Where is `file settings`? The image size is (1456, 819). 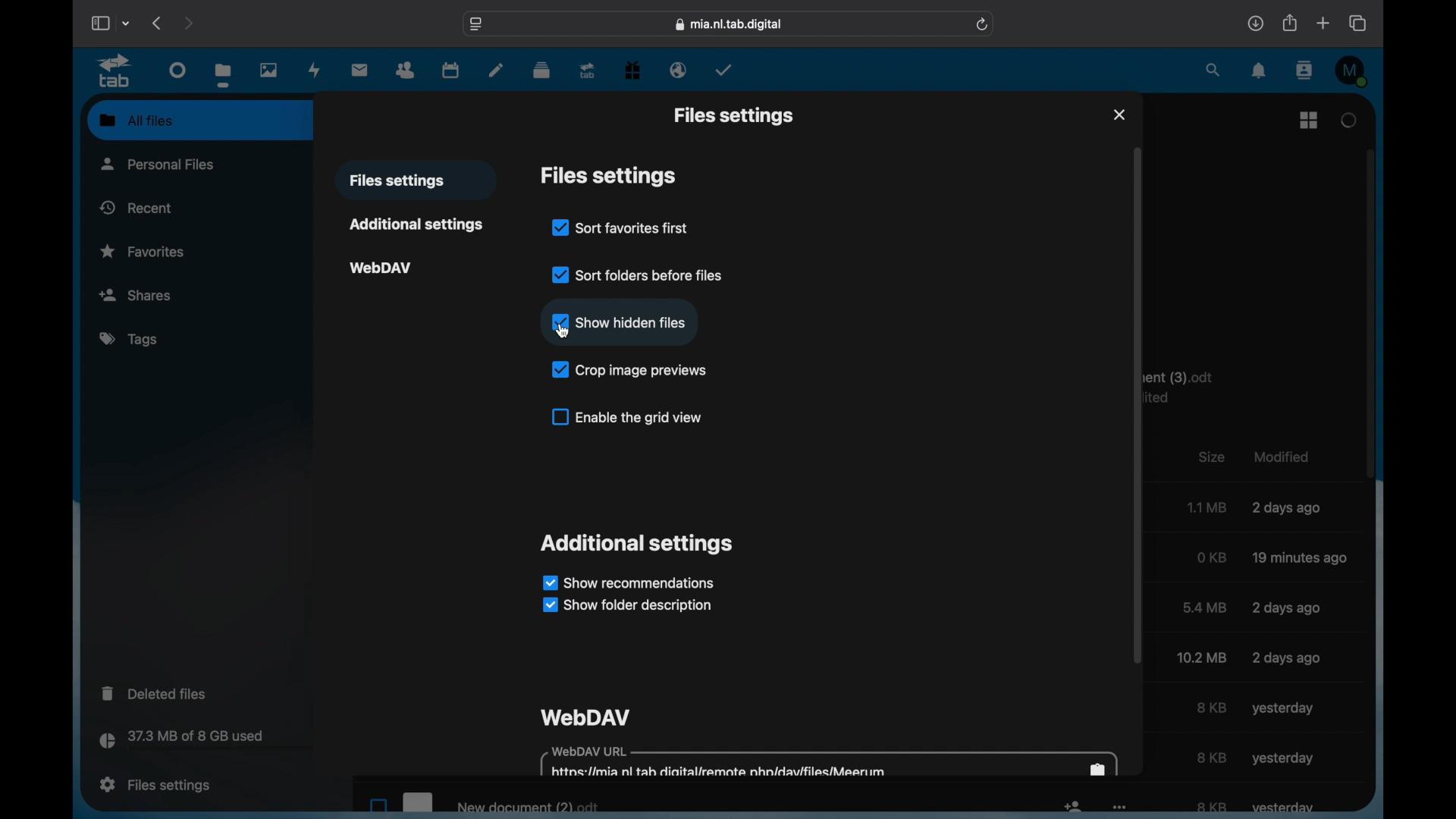 file settings is located at coordinates (155, 784).